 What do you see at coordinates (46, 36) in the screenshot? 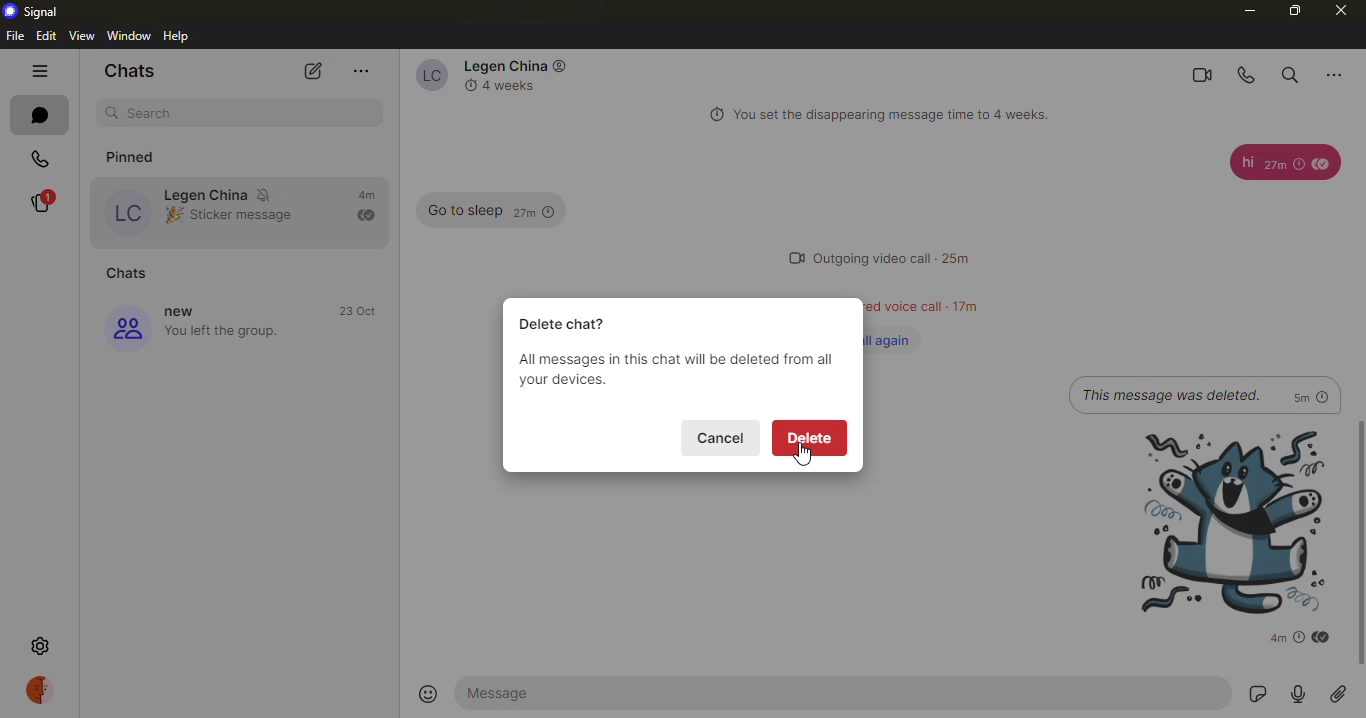
I see `edit` at bounding box center [46, 36].